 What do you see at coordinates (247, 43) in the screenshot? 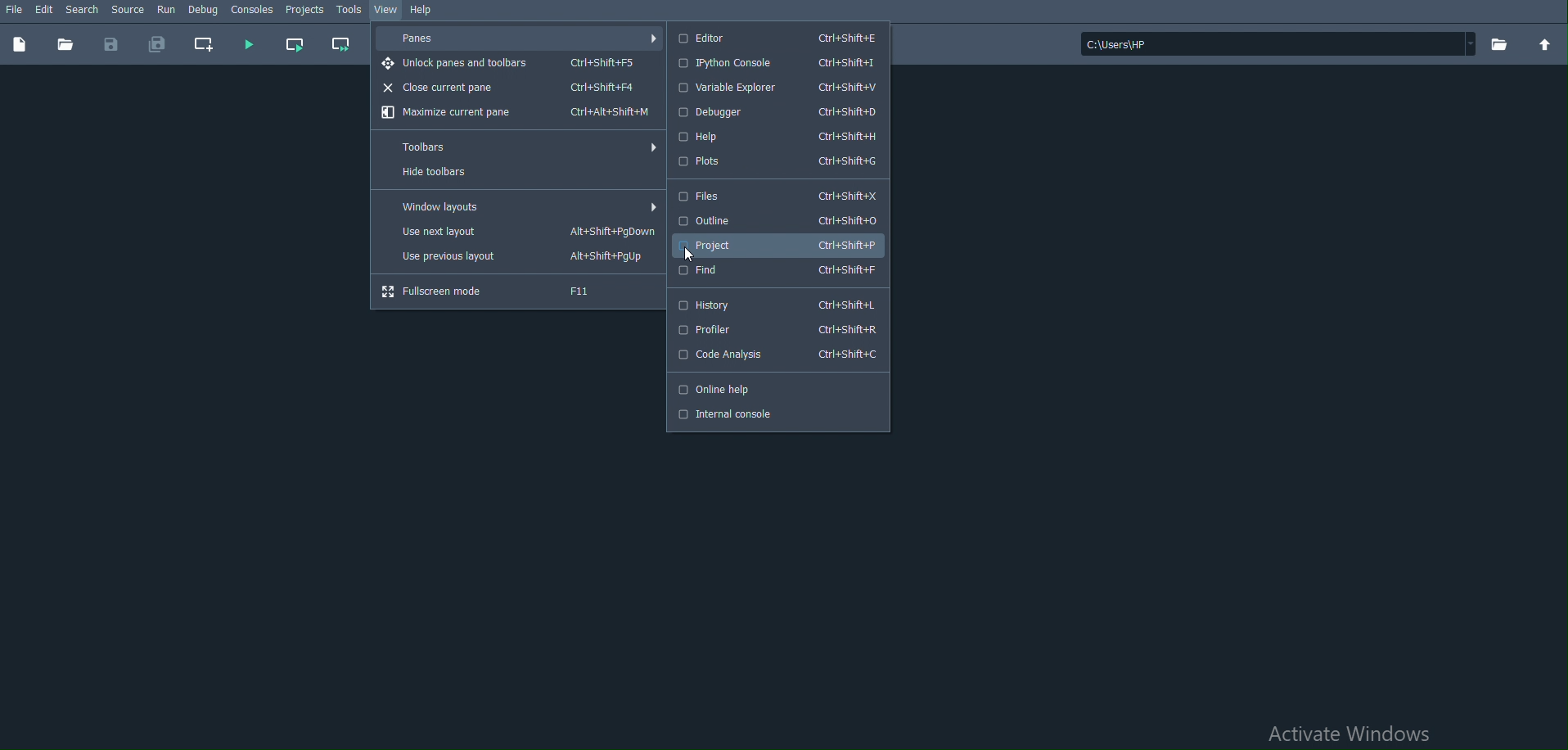
I see `Run file` at bounding box center [247, 43].